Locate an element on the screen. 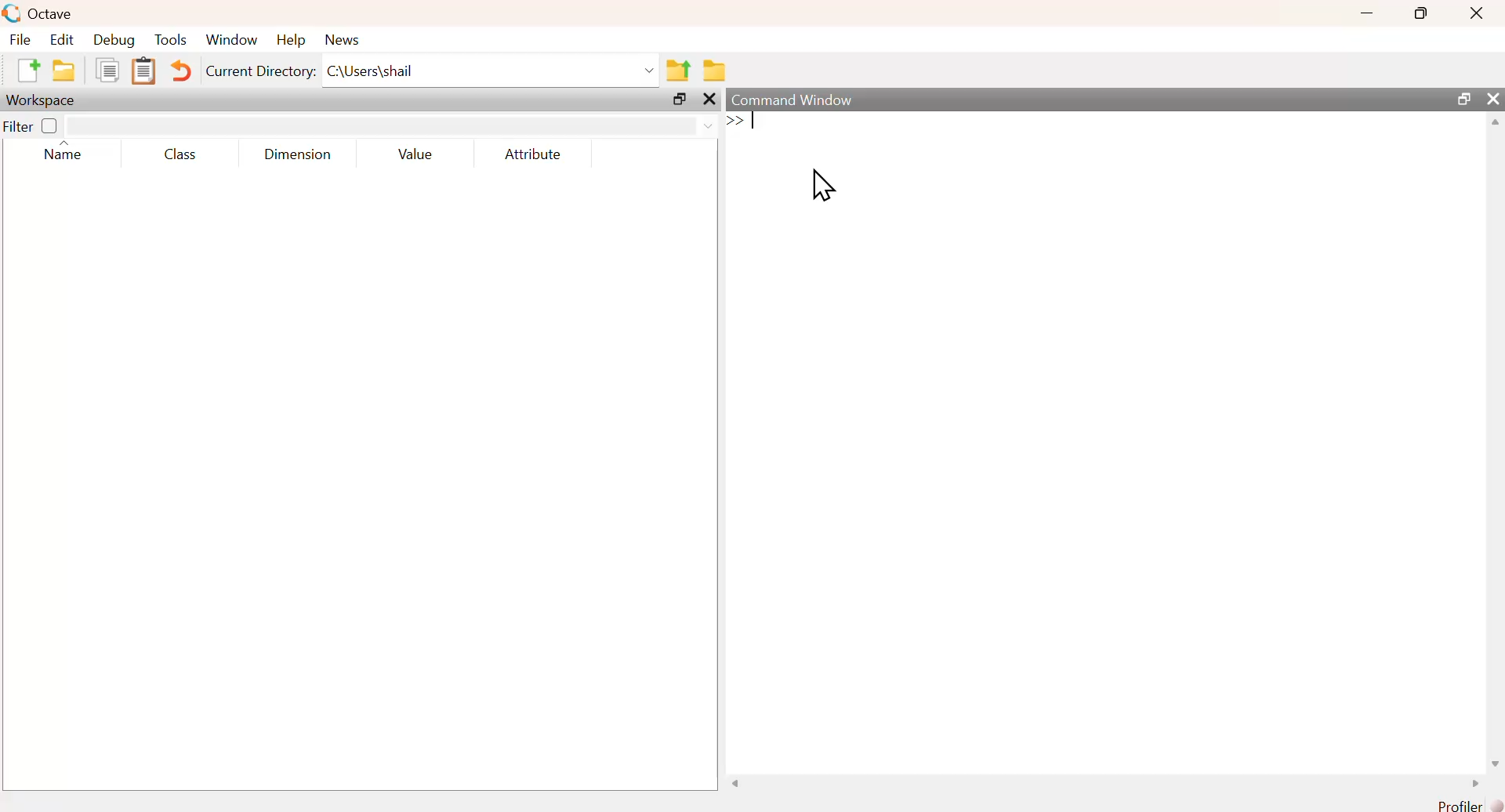 The width and height of the screenshot is (1505, 812). minimize is located at coordinates (1367, 13).